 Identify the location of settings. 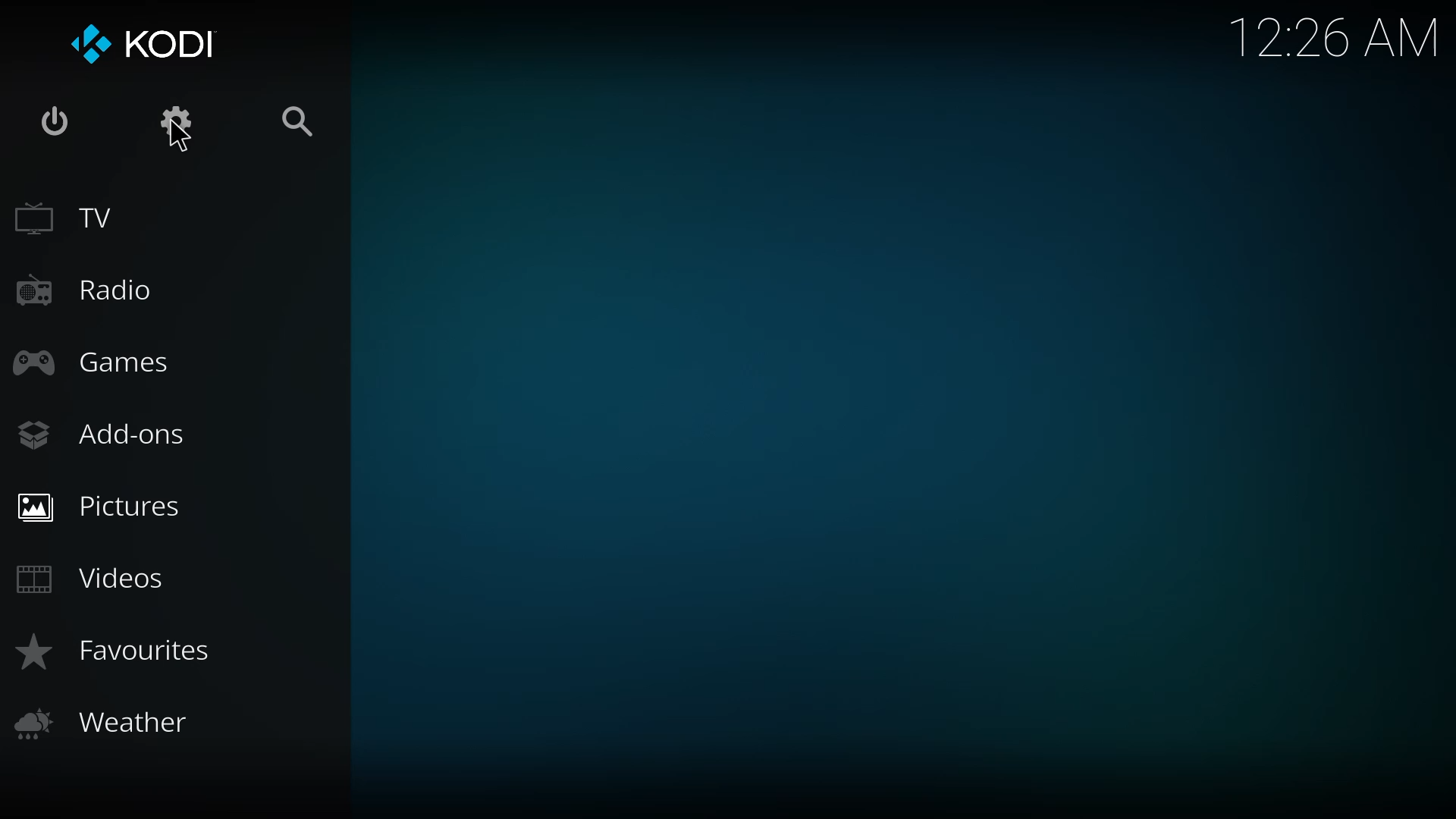
(177, 124).